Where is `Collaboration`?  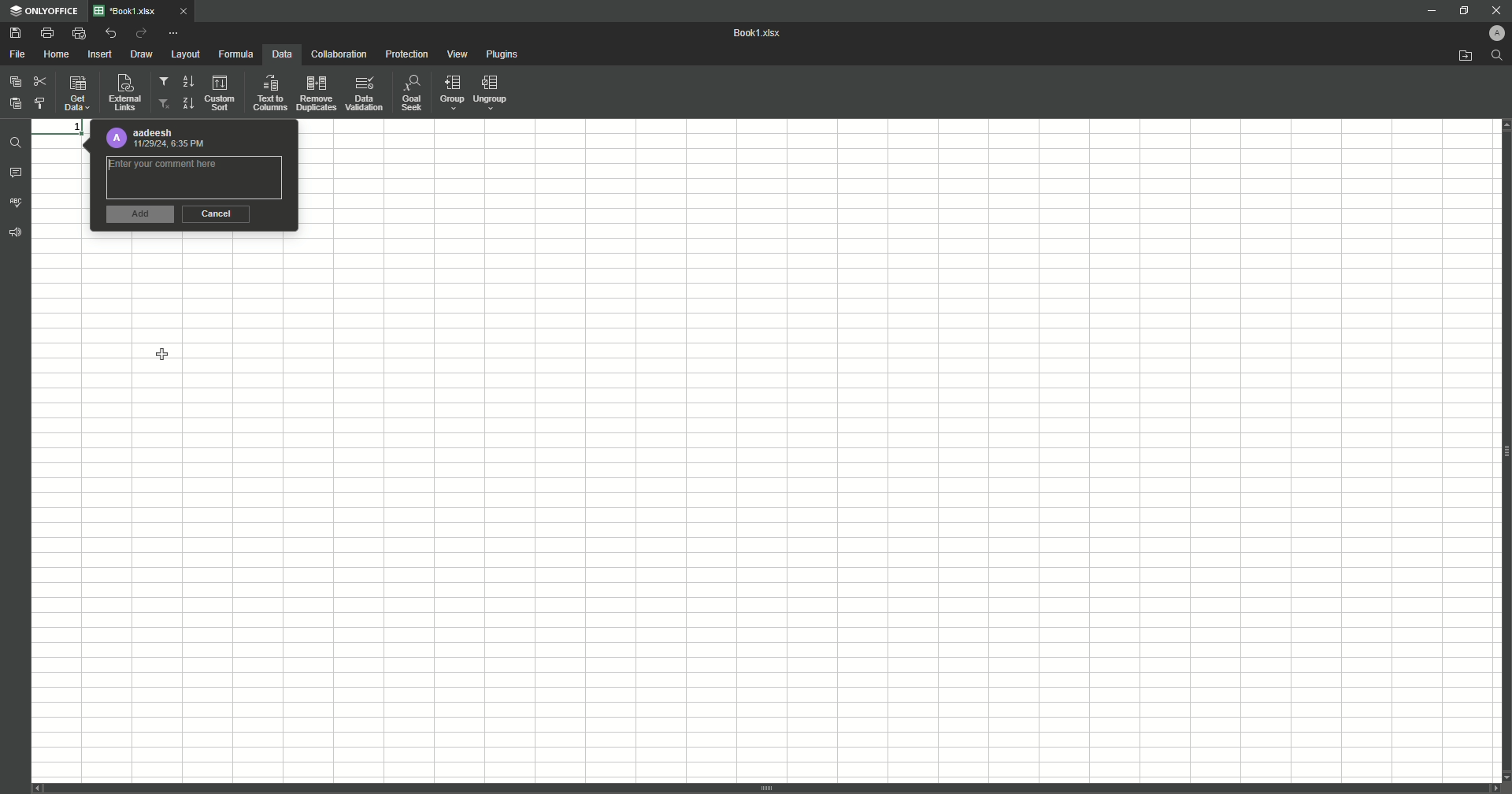 Collaboration is located at coordinates (338, 55).